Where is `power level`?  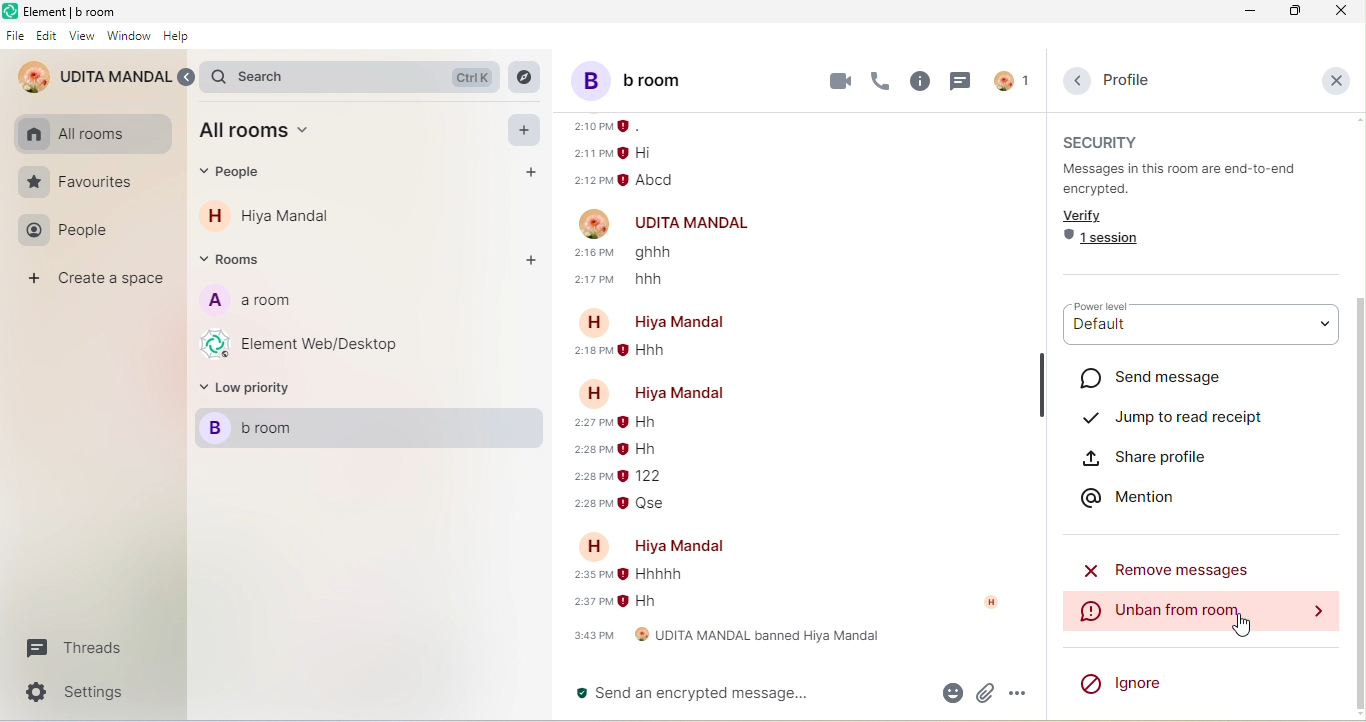 power level is located at coordinates (1110, 308).